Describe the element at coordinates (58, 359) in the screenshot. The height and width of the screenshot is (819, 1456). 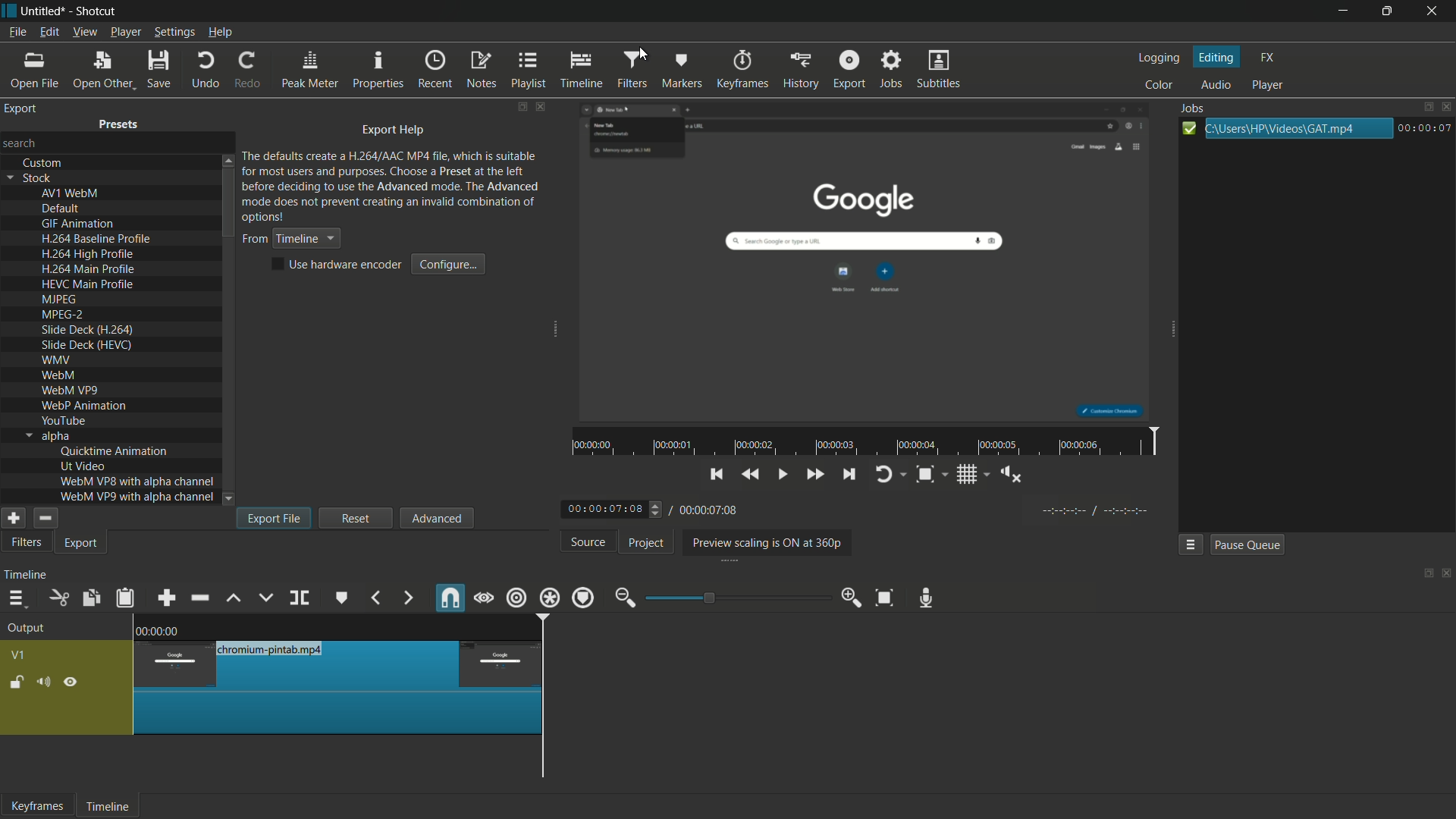
I see `WMV` at that location.